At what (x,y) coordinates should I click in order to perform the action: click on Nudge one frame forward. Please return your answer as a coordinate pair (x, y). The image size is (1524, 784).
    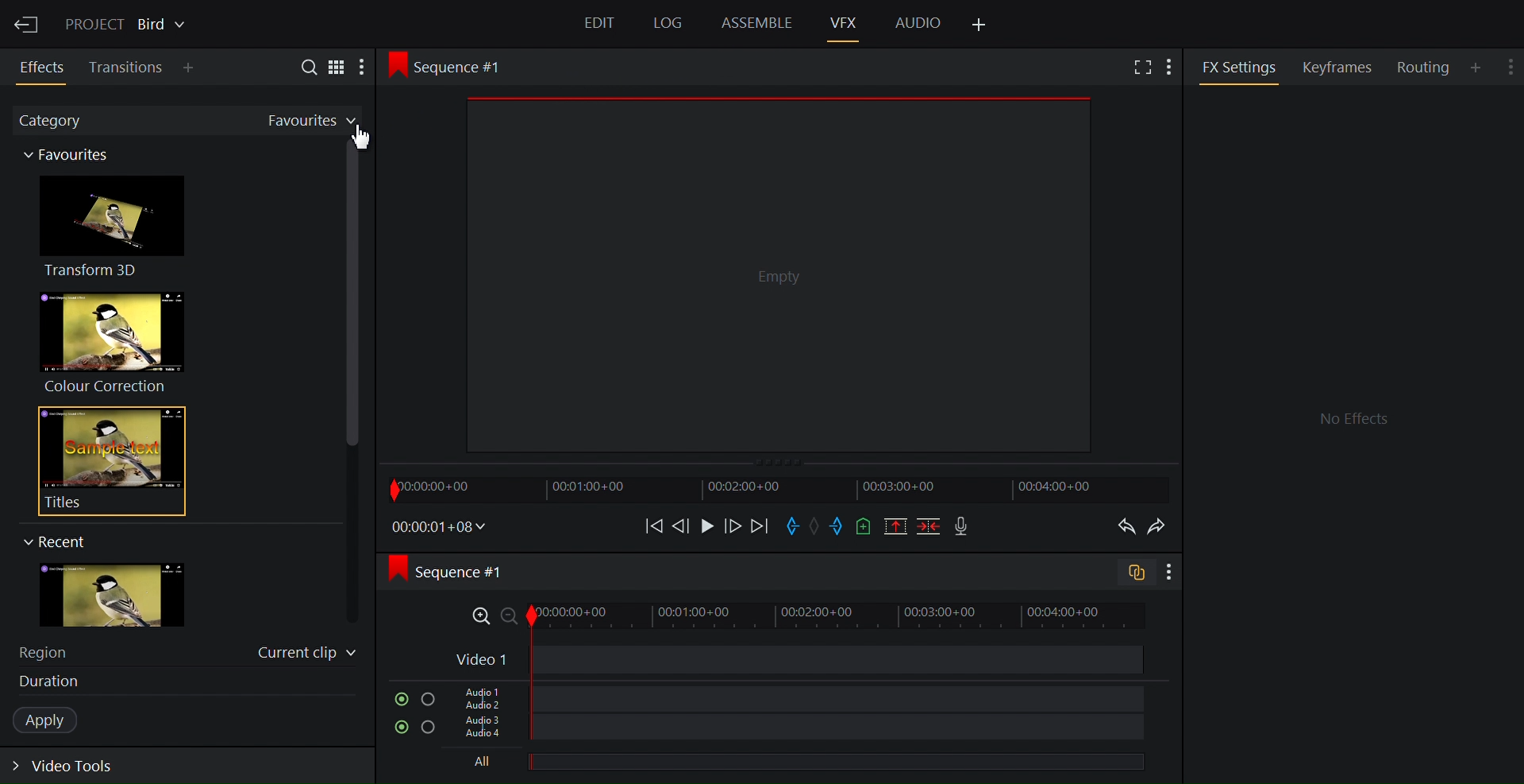
    Looking at the image, I should click on (731, 525).